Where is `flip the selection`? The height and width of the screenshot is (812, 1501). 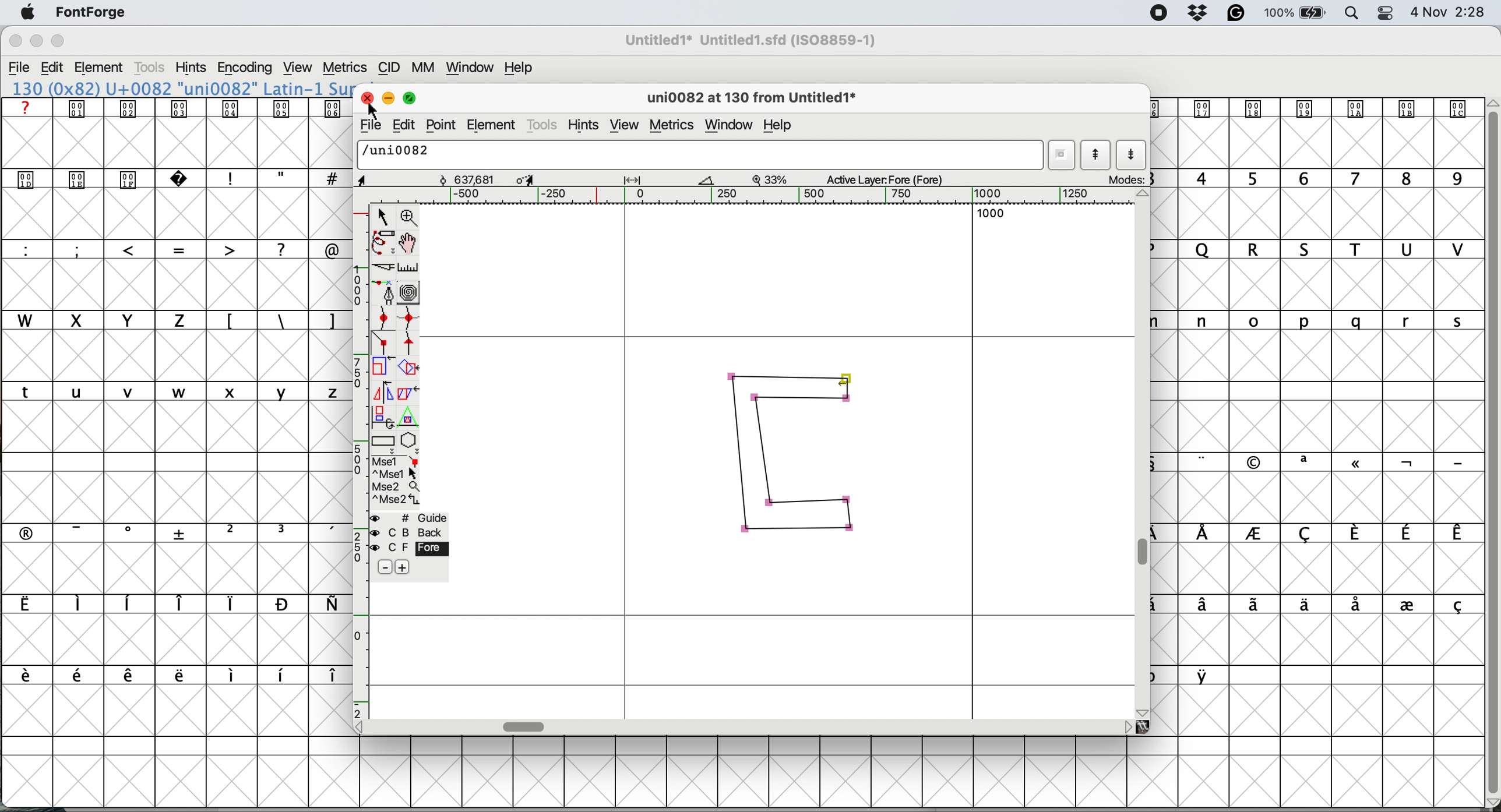
flip the selection is located at coordinates (381, 393).